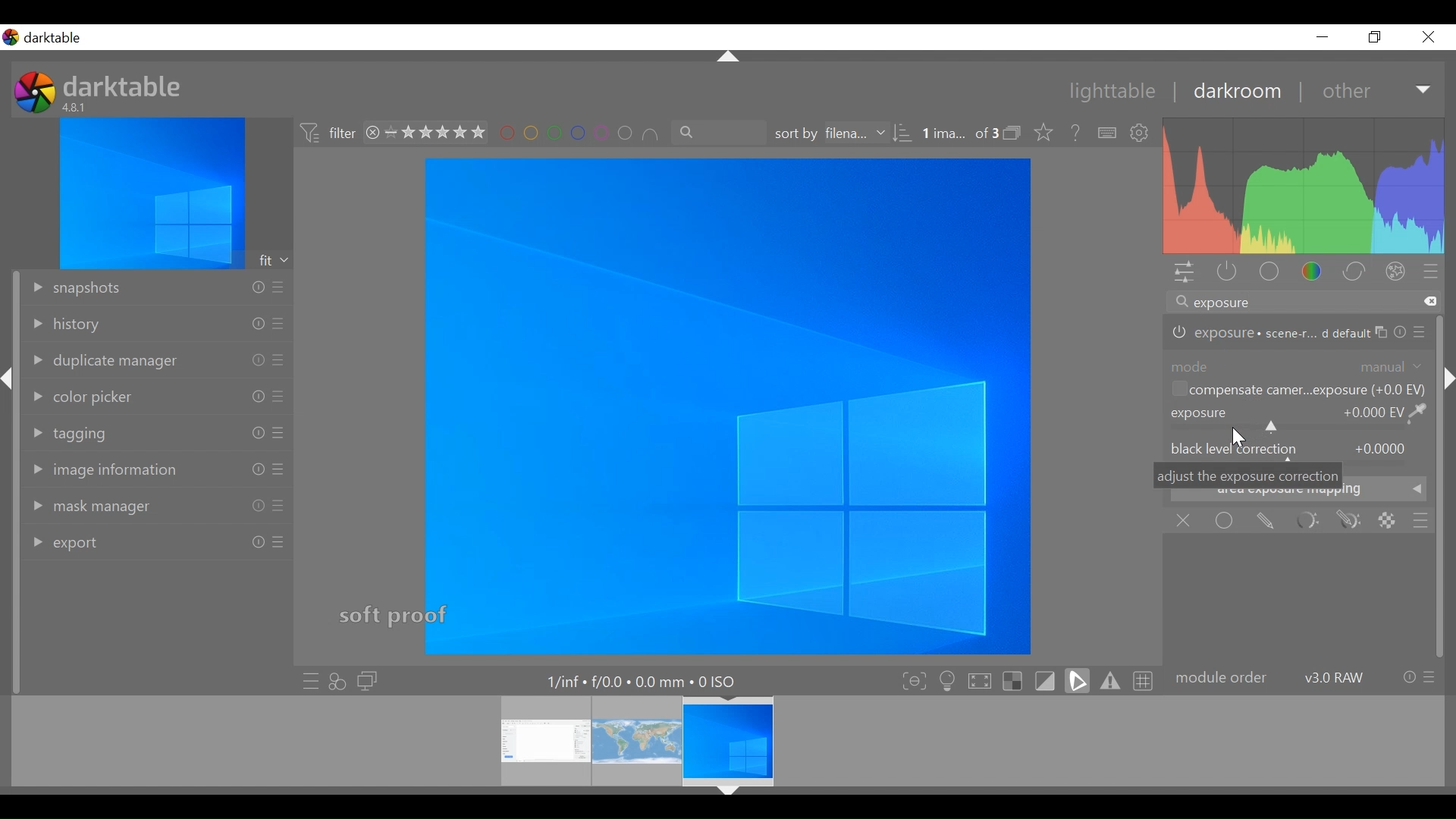 This screenshot has height=819, width=1456. What do you see at coordinates (279, 542) in the screenshot?
I see `presets` at bounding box center [279, 542].